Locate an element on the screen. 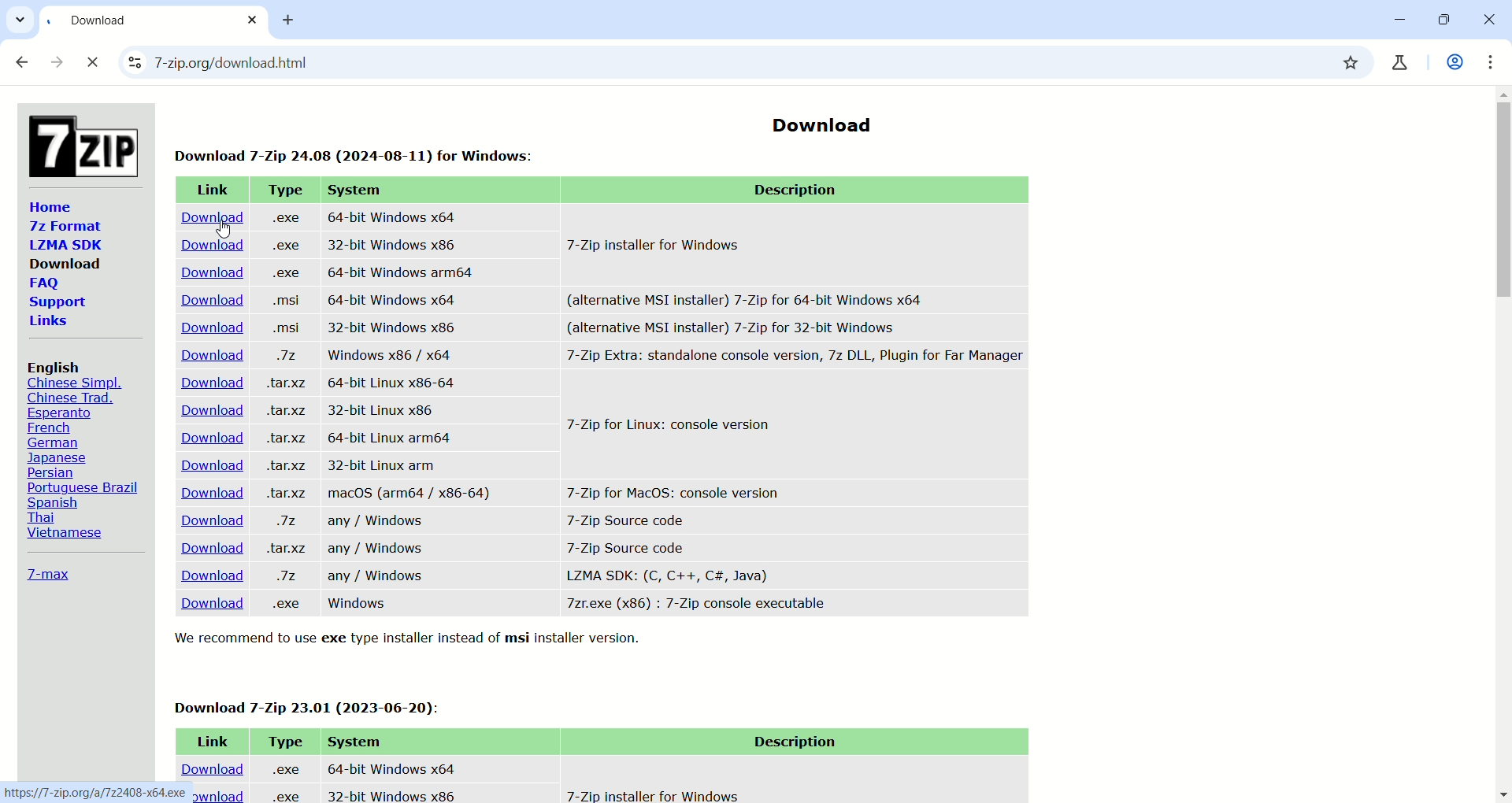 This screenshot has width=1512, height=803. Download is located at coordinates (206, 383).